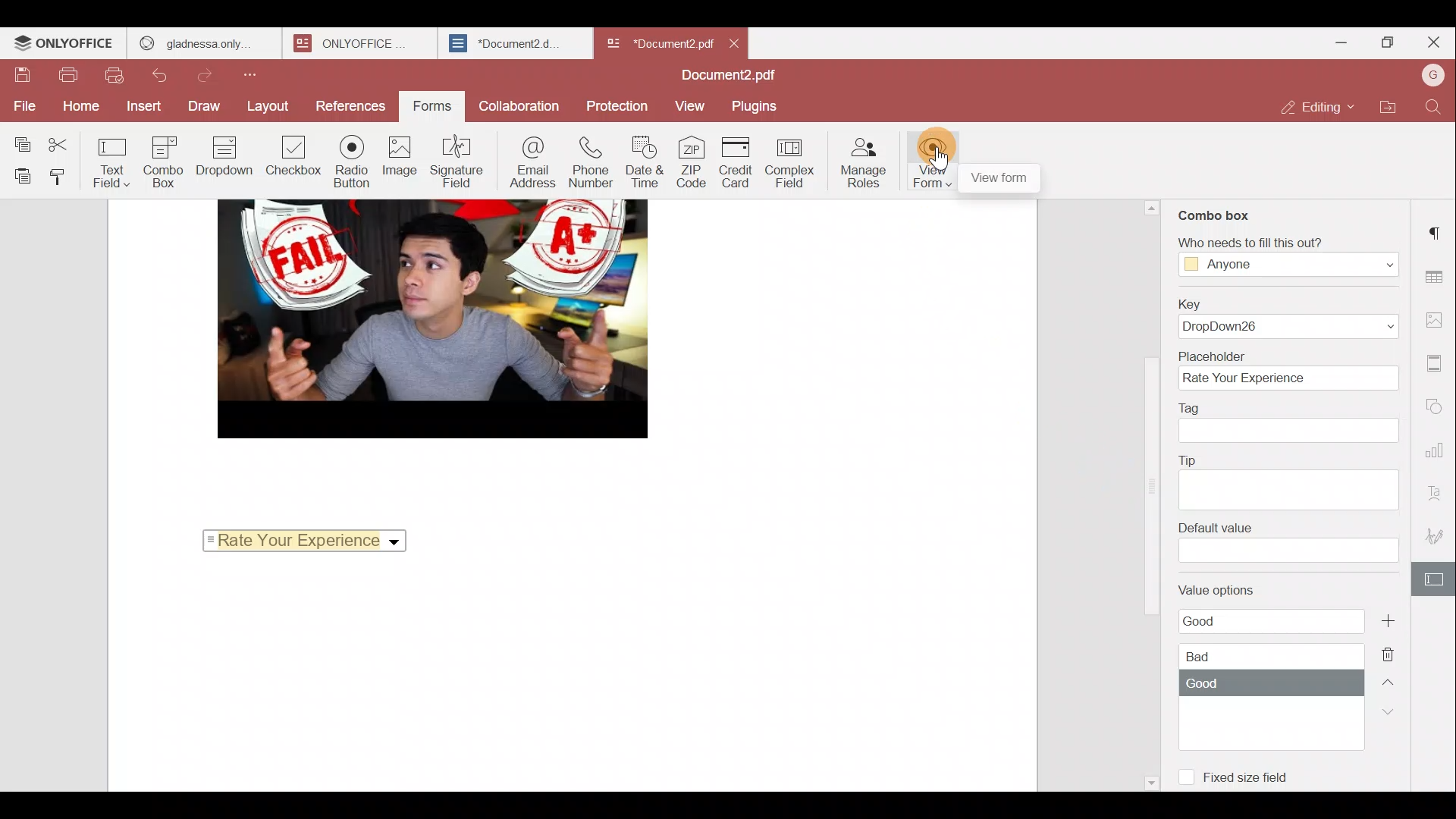 The image size is (1456, 819). Describe the element at coordinates (1395, 718) in the screenshot. I see `Down` at that location.